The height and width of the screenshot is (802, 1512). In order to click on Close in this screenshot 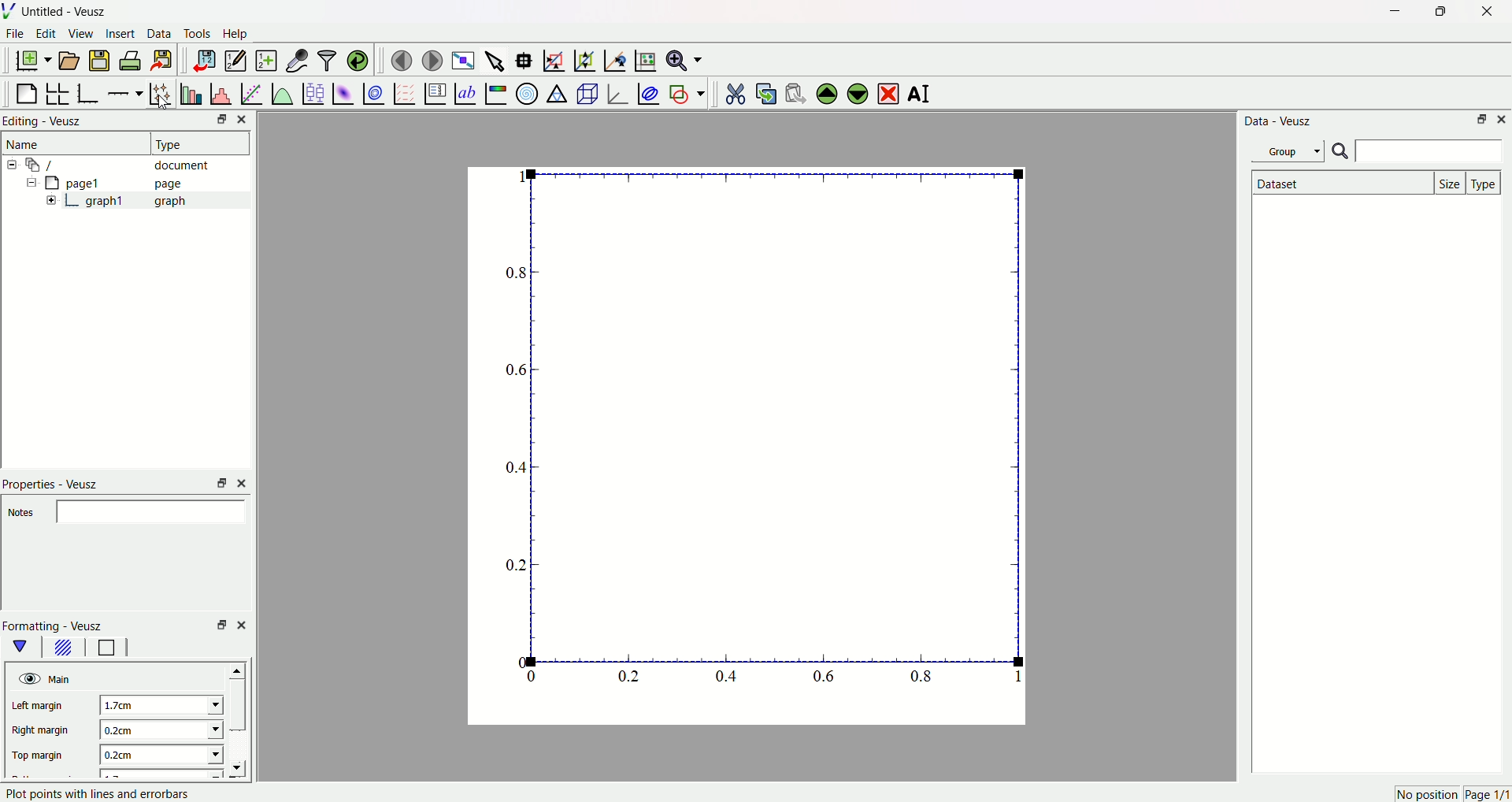, I will do `click(246, 119)`.